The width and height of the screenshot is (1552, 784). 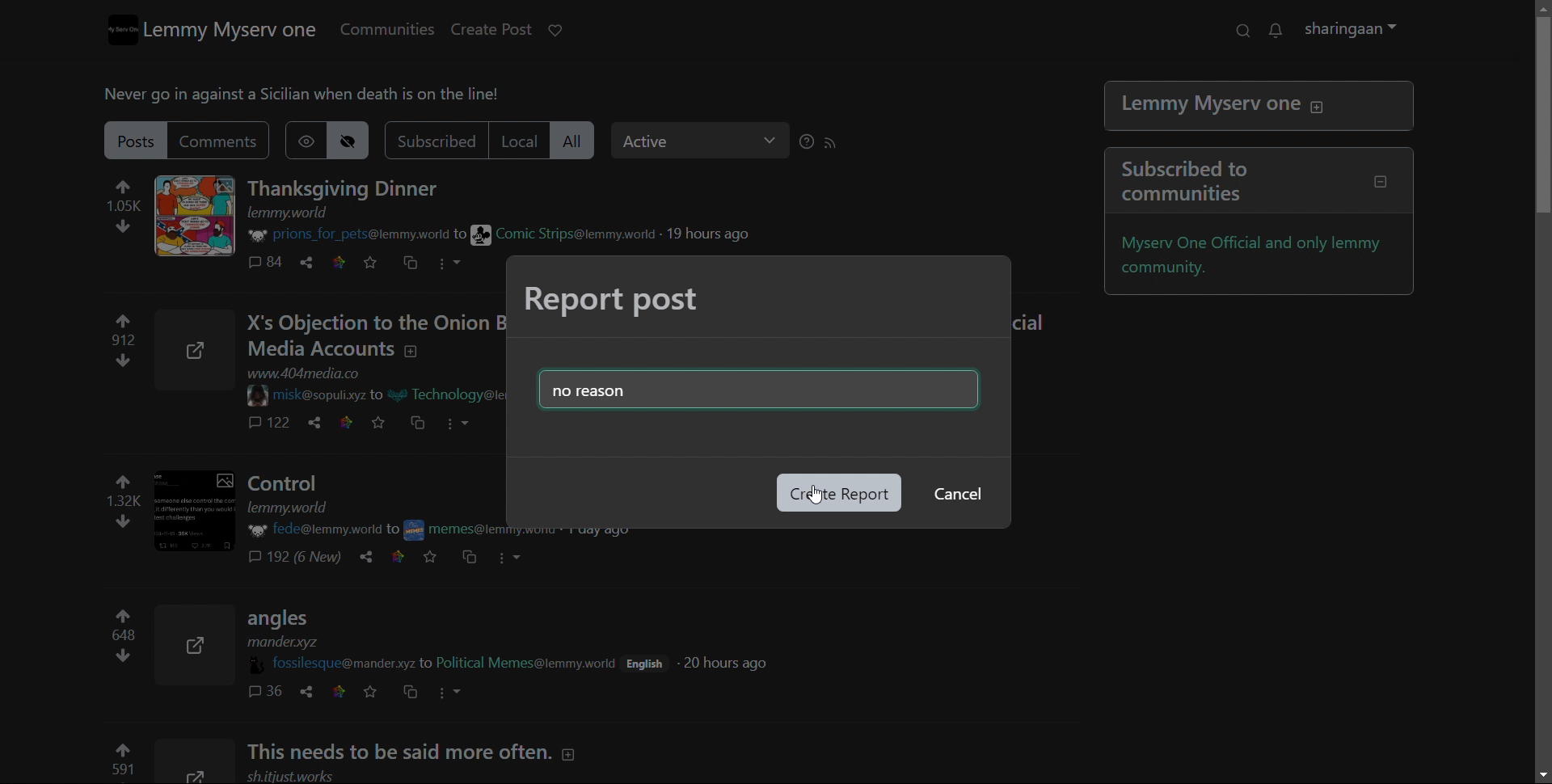 What do you see at coordinates (1261, 107) in the screenshot?
I see `Lemmy Myserv one` at bounding box center [1261, 107].